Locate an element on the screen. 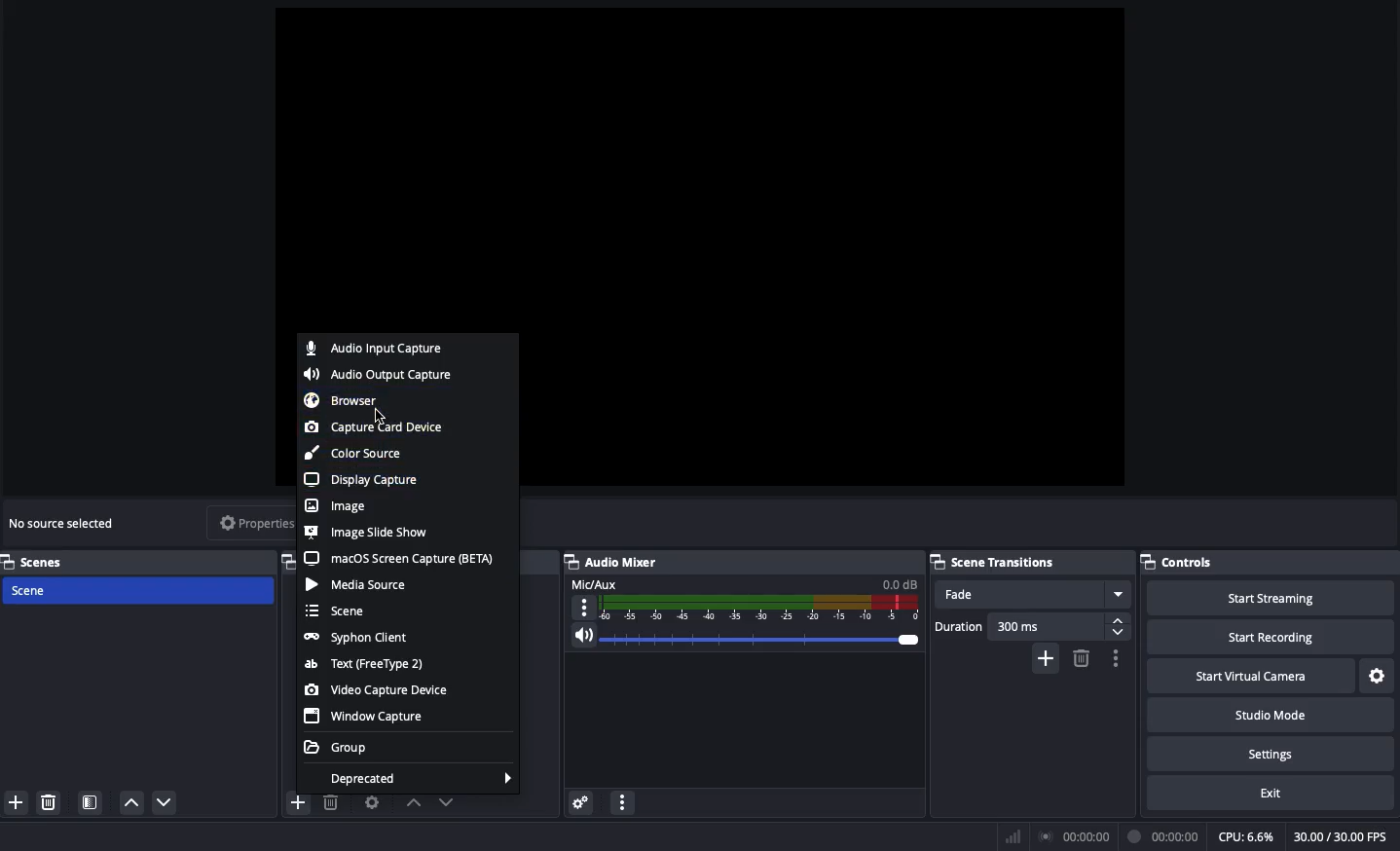 Image resolution: width=1400 pixels, height=851 pixels. Start virtual camera is located at coordinates (1254, 674).